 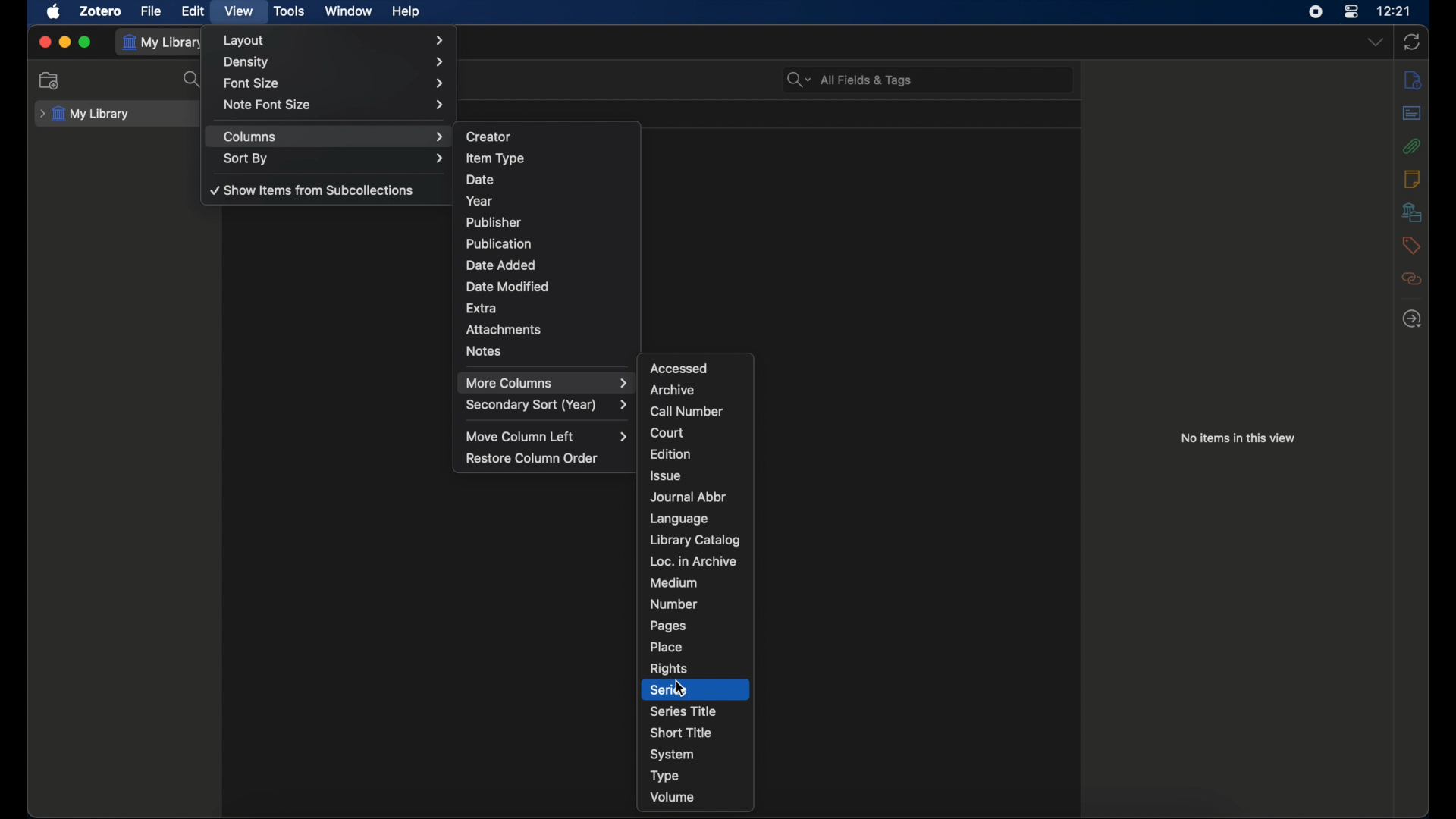 What do you see at coordinates (336, 40) in the screenshot?
I see `layout` at bounding box center [336, 40].